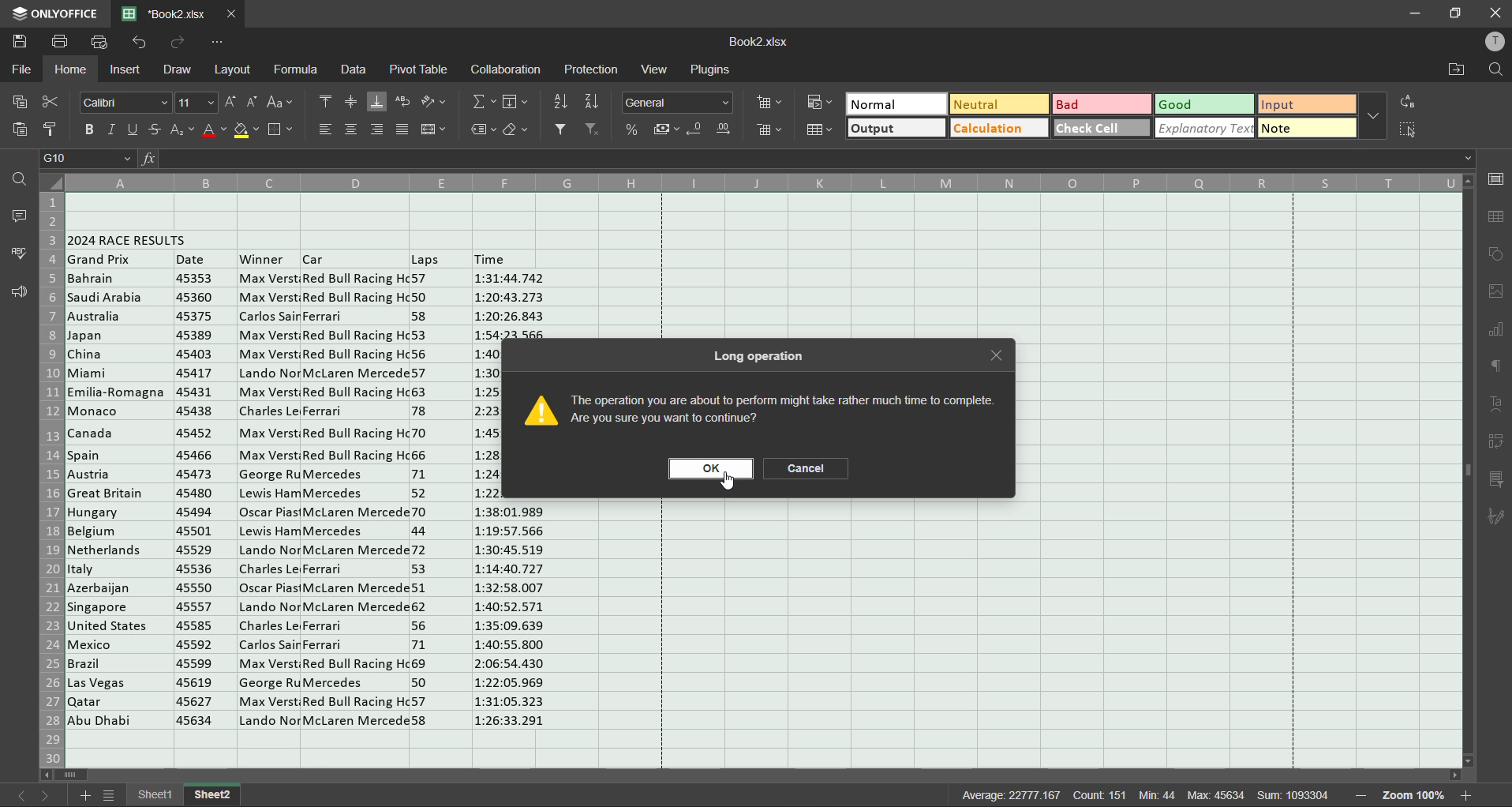 The width and height of the screenshot is (1512, 807). What do you see at coordinates (1295, 796) in the screenshot?
I see `sum` at bounding box center [1295, 796].